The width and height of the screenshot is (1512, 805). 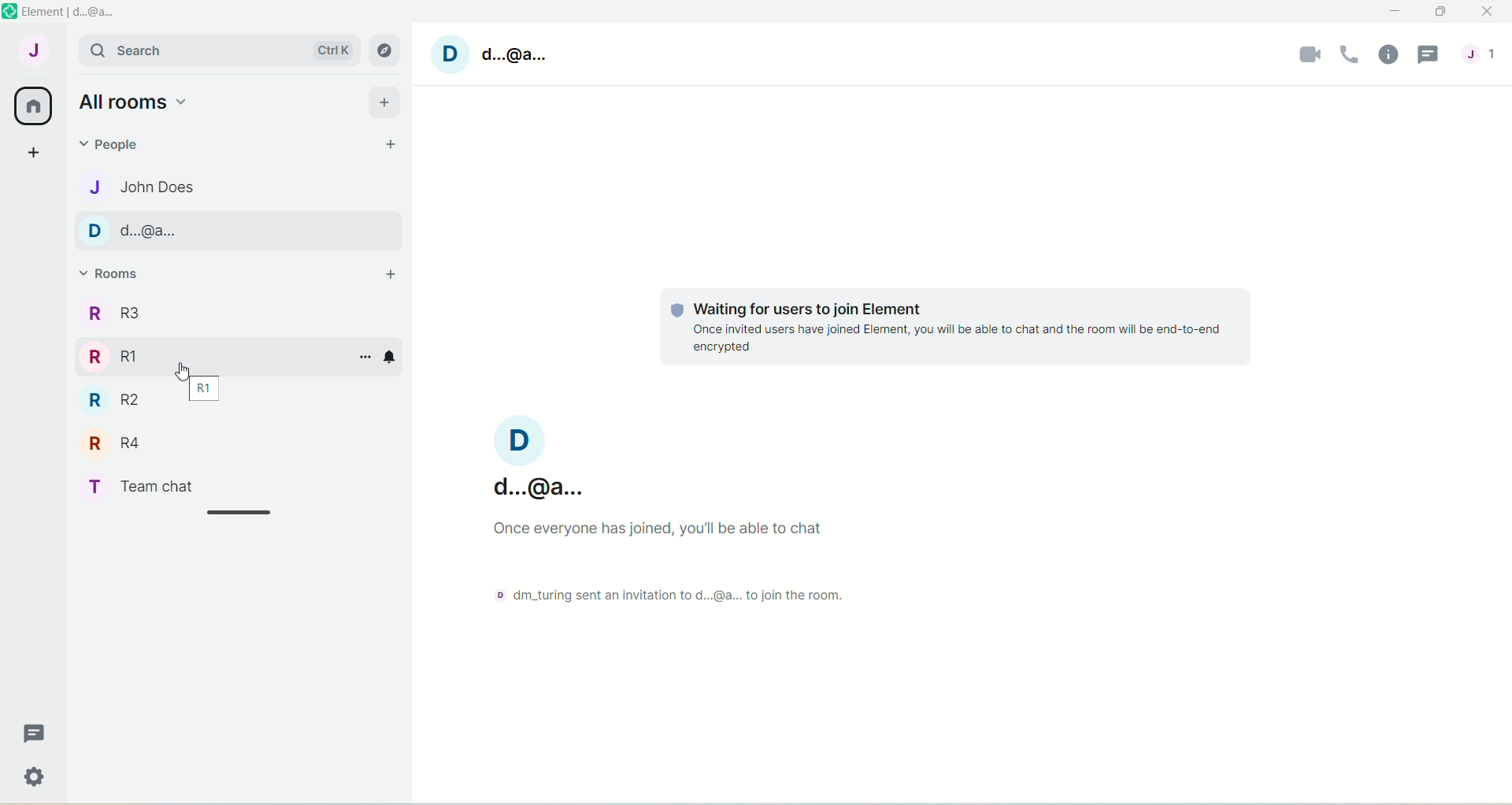 I want to click on dm_turing sent an intivation to d....@a...to join the room., so click(x=673, y=595).